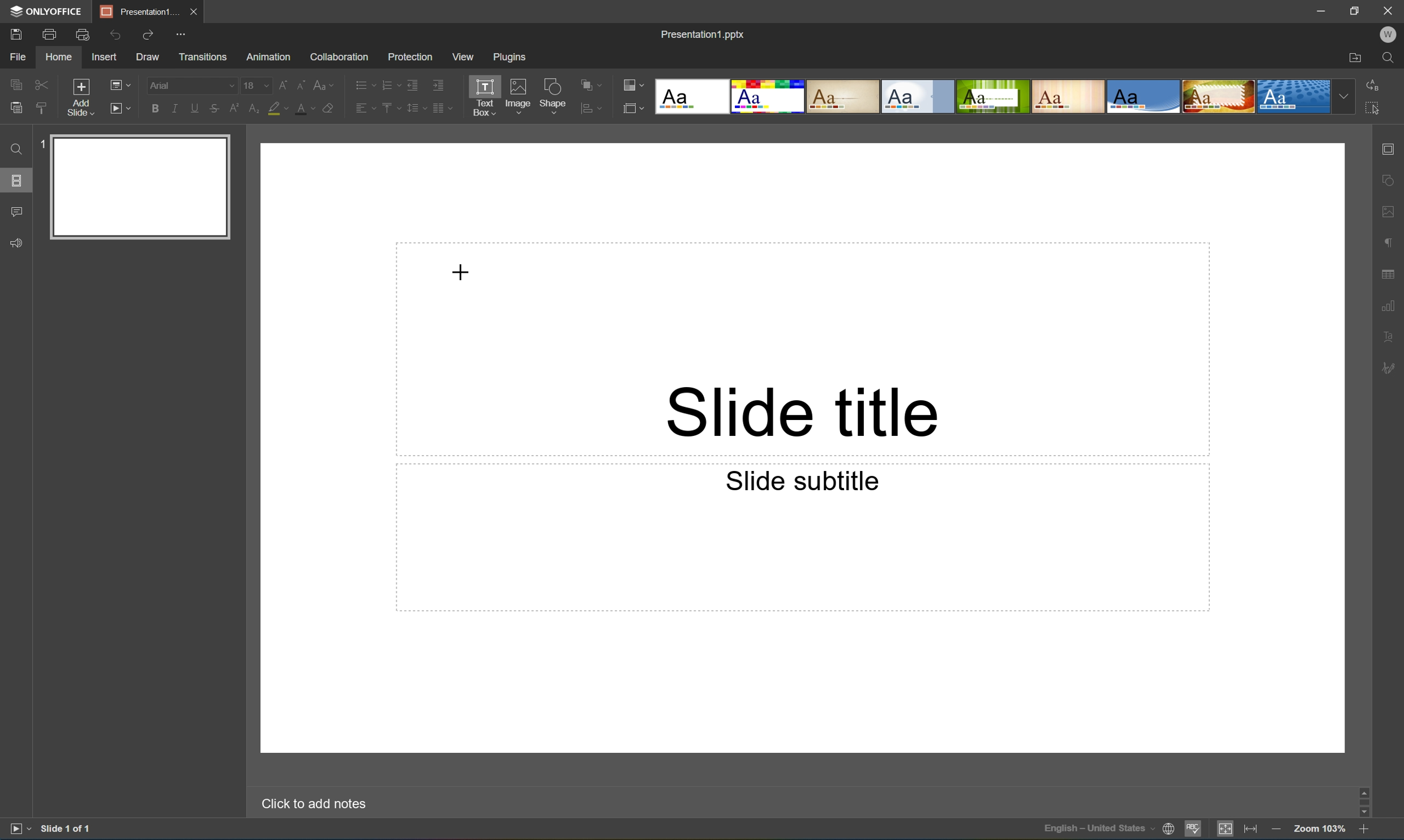 The height and width of the screenshot is (840, 1404). What do you see at coordinates (13, 149) in the screenshot?
I see `Find` at bounding box center [13, 149].